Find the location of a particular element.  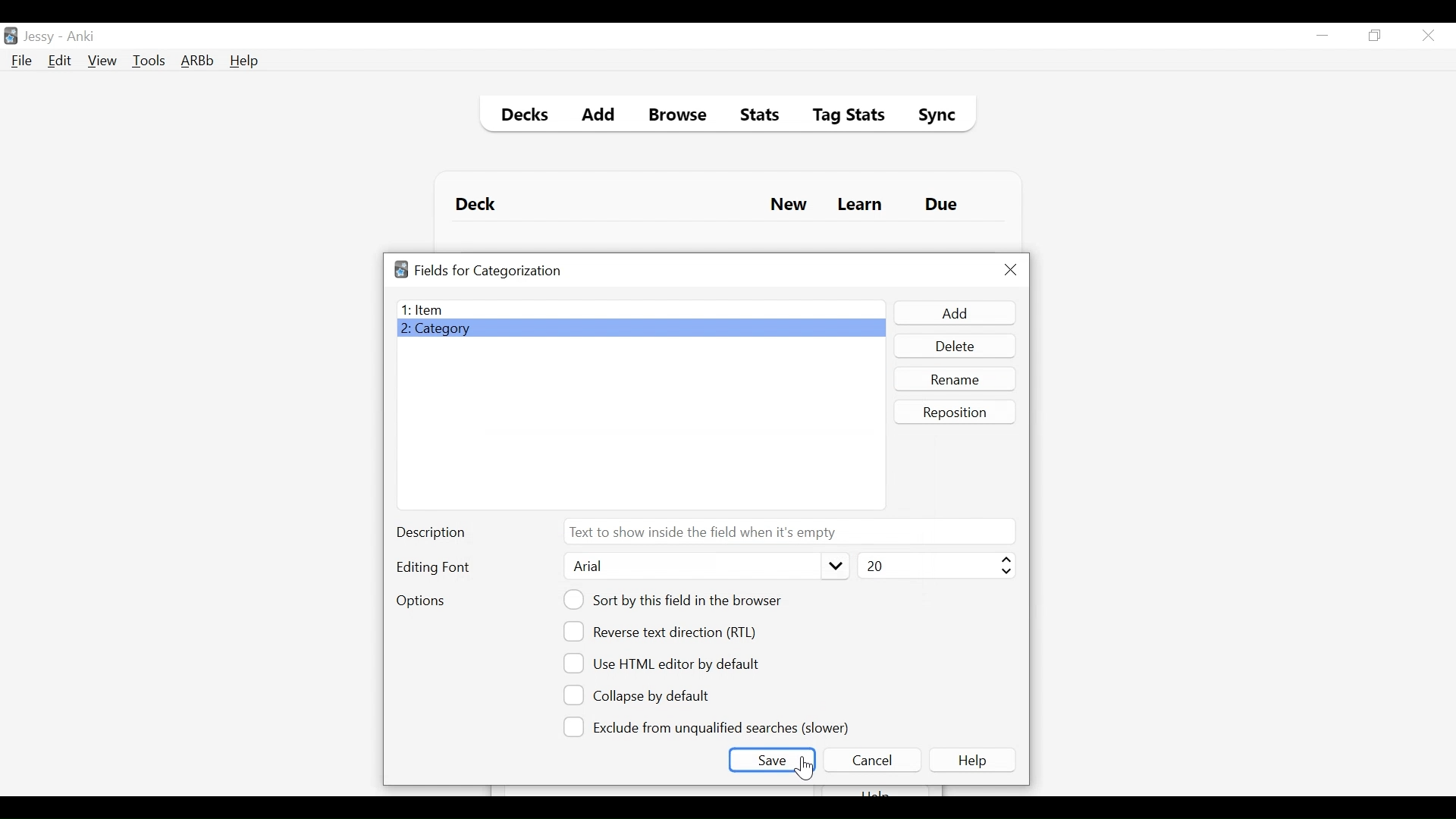

(un)select Sort by this field in the browser is located at coordinates (675, 600).